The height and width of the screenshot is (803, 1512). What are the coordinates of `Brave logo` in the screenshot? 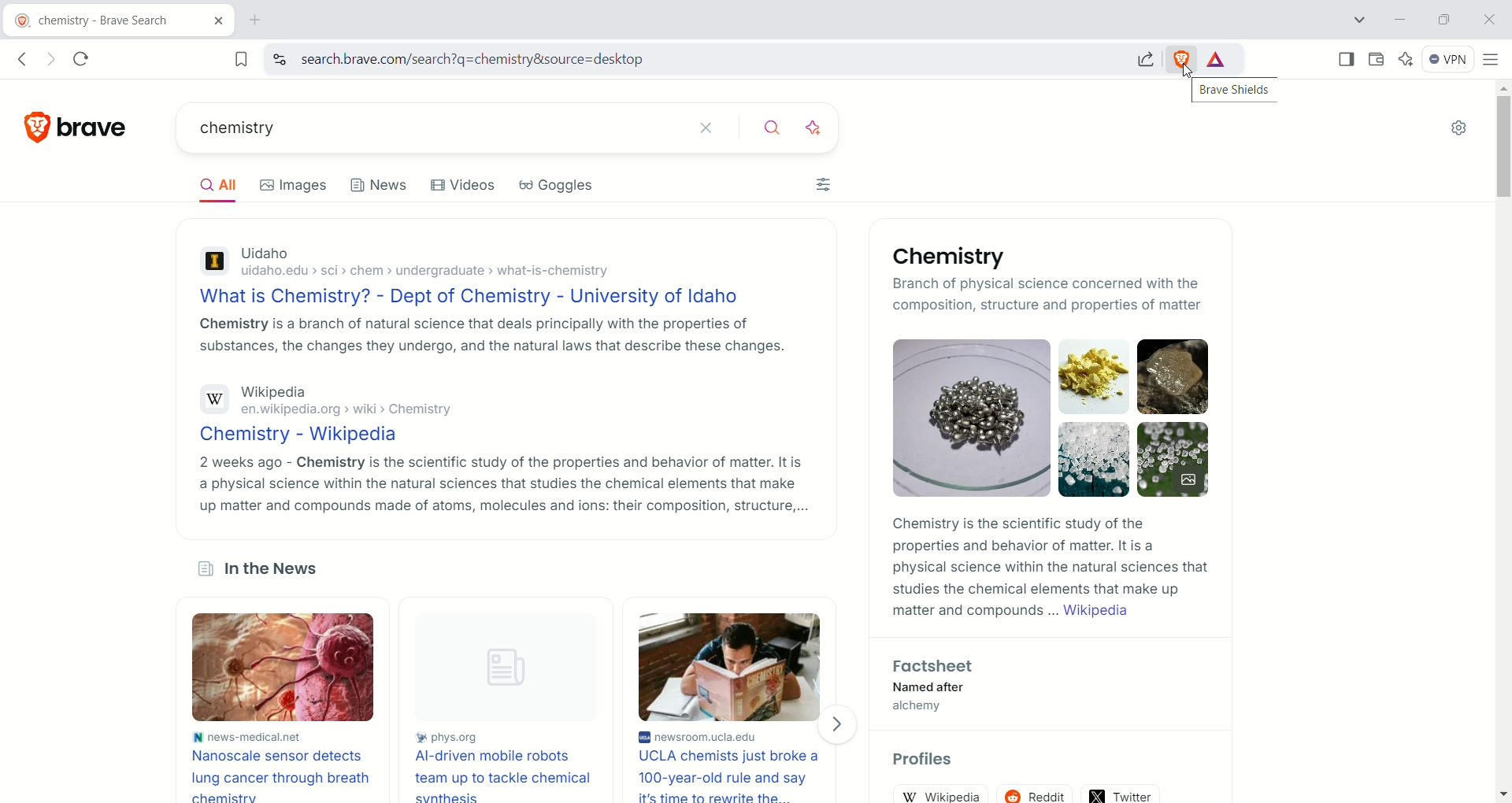 It's located at (78, 127).